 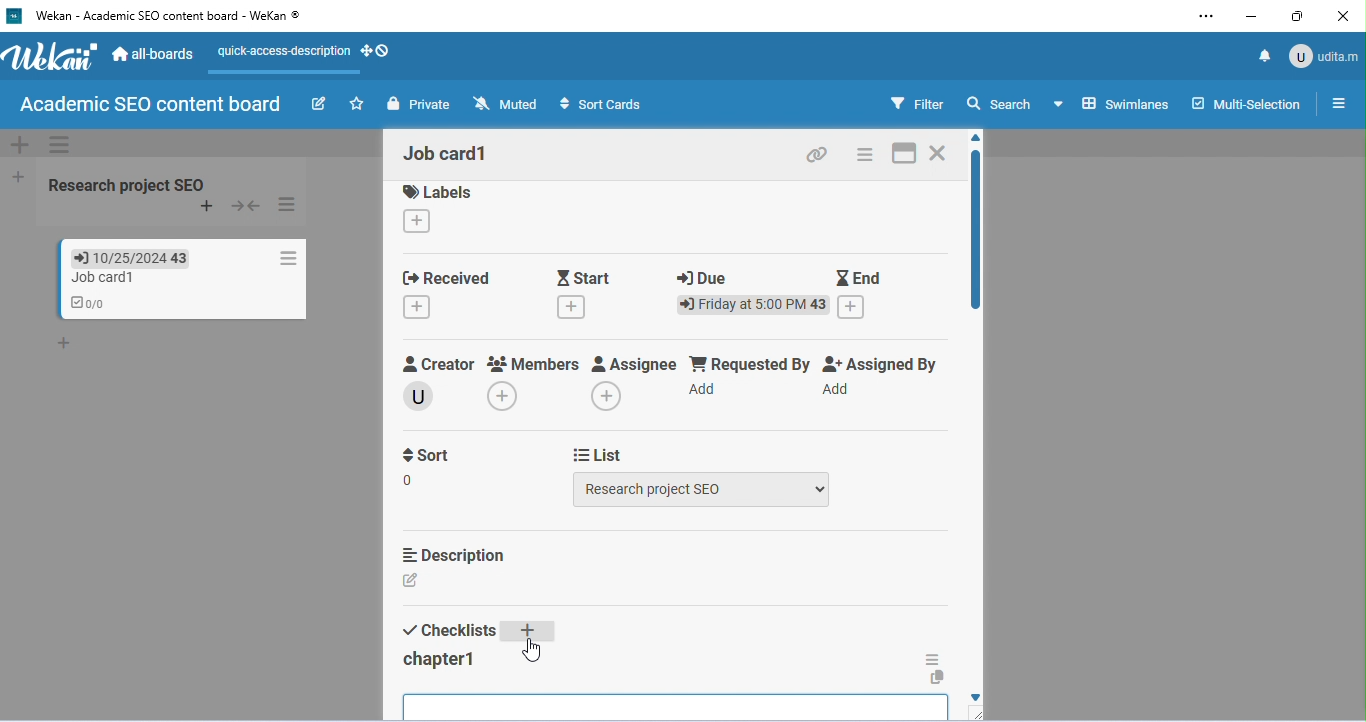 What do you see at coordinates (419, 224) in the screenshot?
I see `change the labels` at bounding box center [419, 224].